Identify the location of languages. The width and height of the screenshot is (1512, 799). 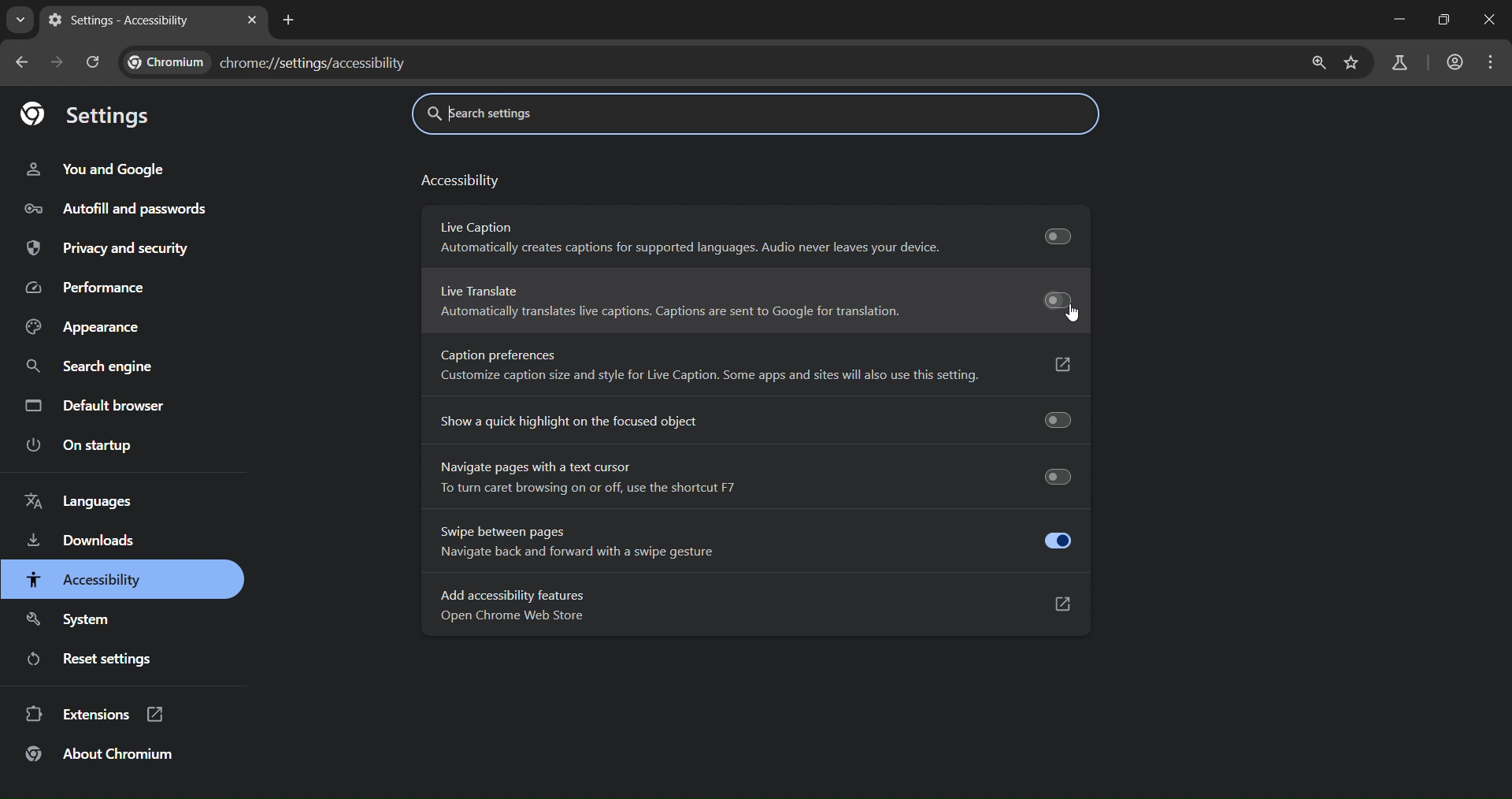
(80, 503).